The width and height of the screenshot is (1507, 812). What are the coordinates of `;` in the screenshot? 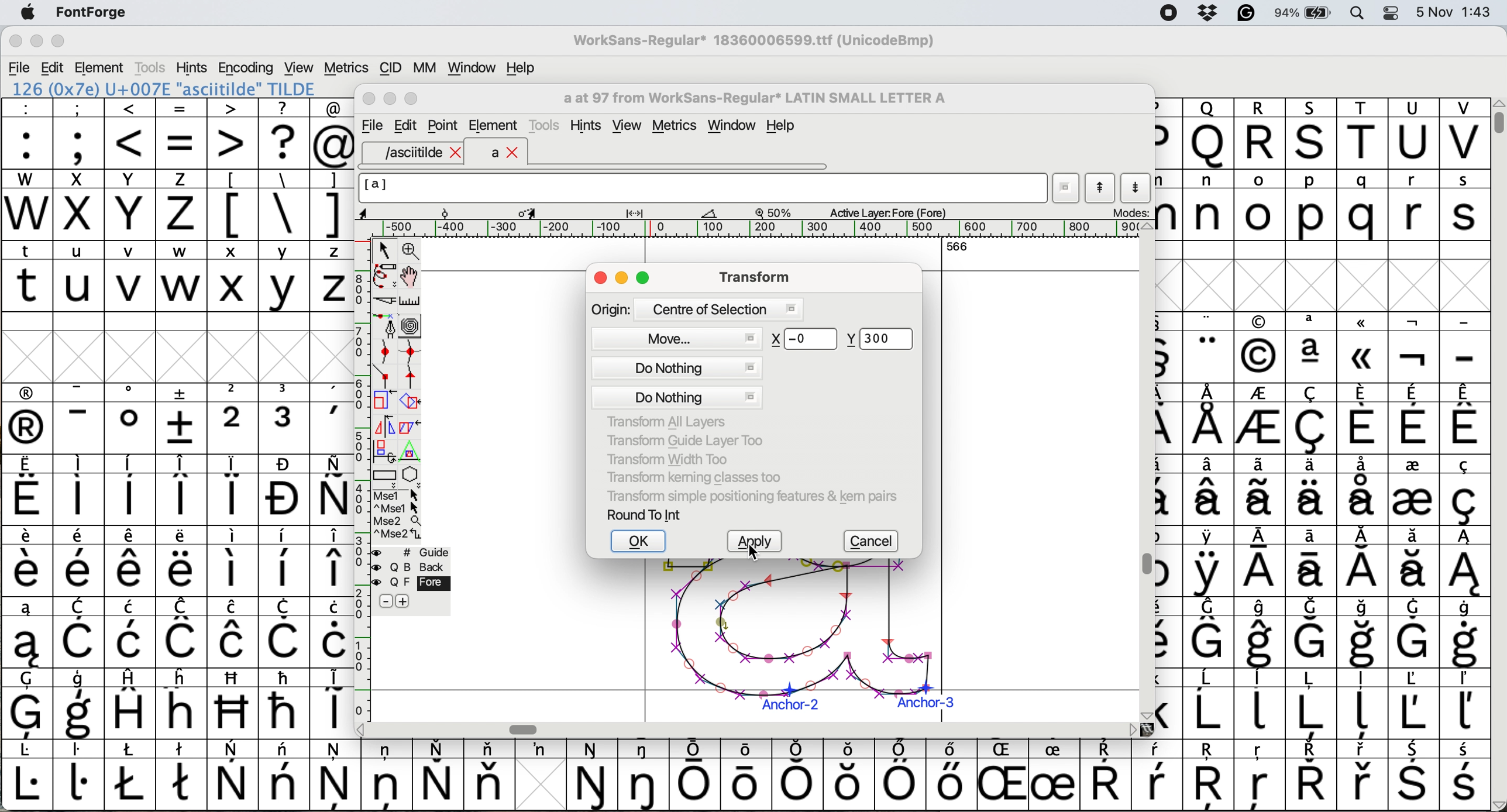 It's located at (79, 132).